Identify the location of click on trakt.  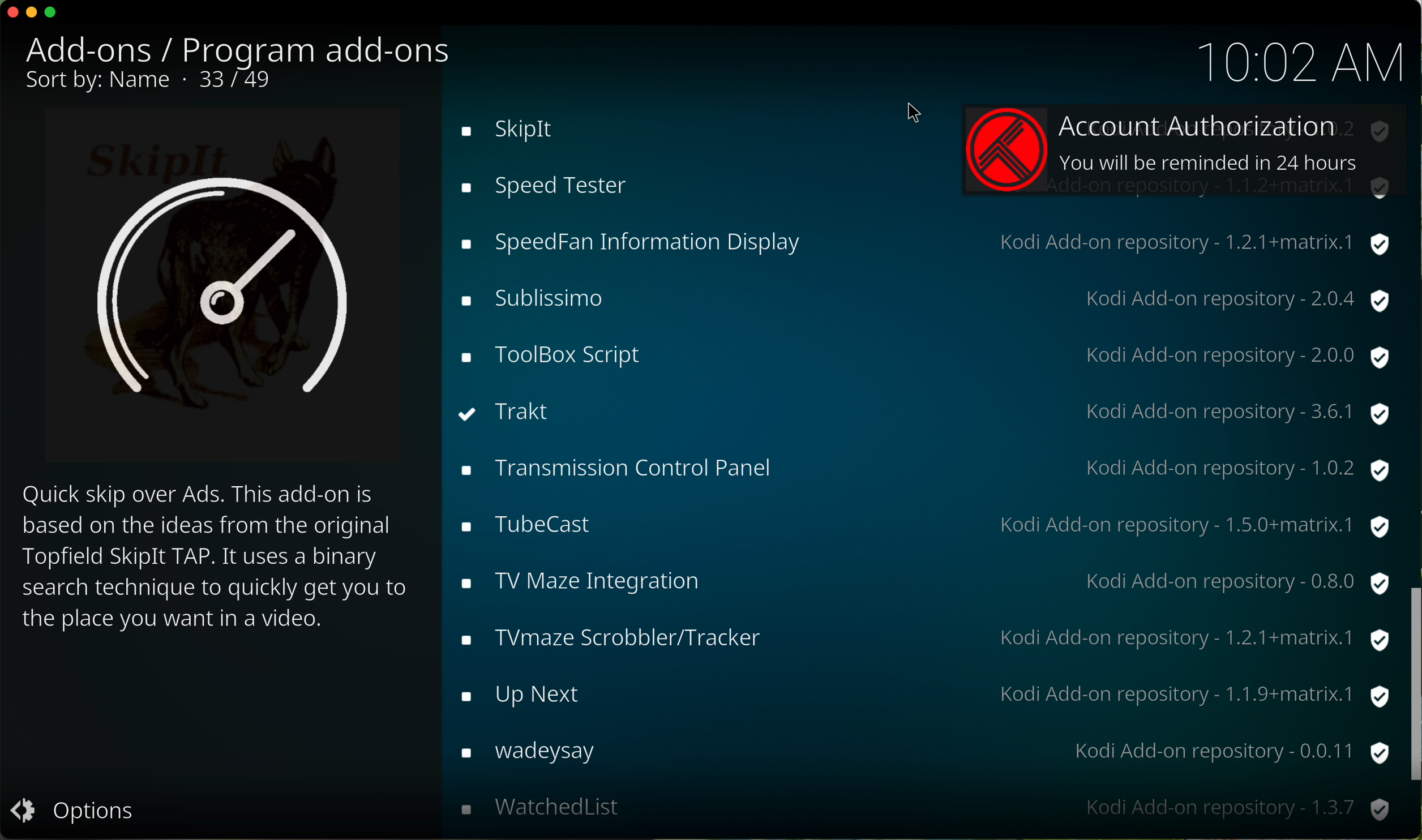
(703, 189).